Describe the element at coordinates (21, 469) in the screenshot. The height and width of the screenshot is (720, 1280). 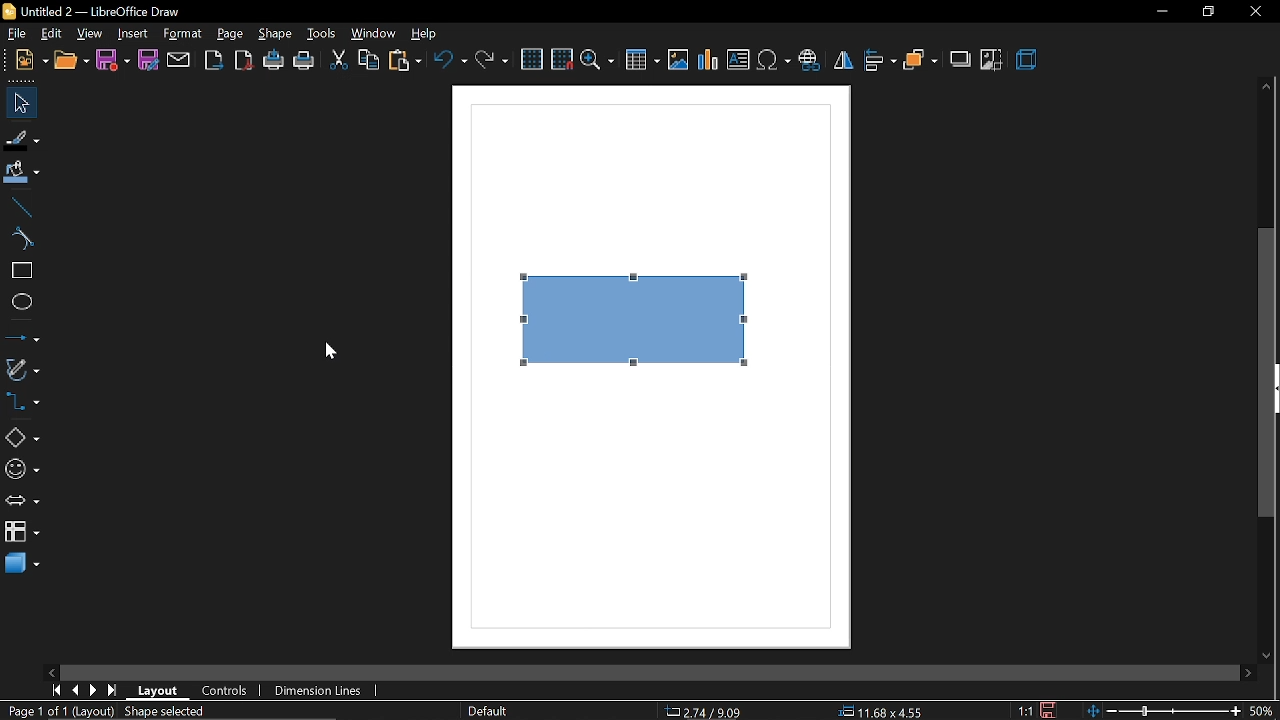
I see `symbol shapes` at that location.